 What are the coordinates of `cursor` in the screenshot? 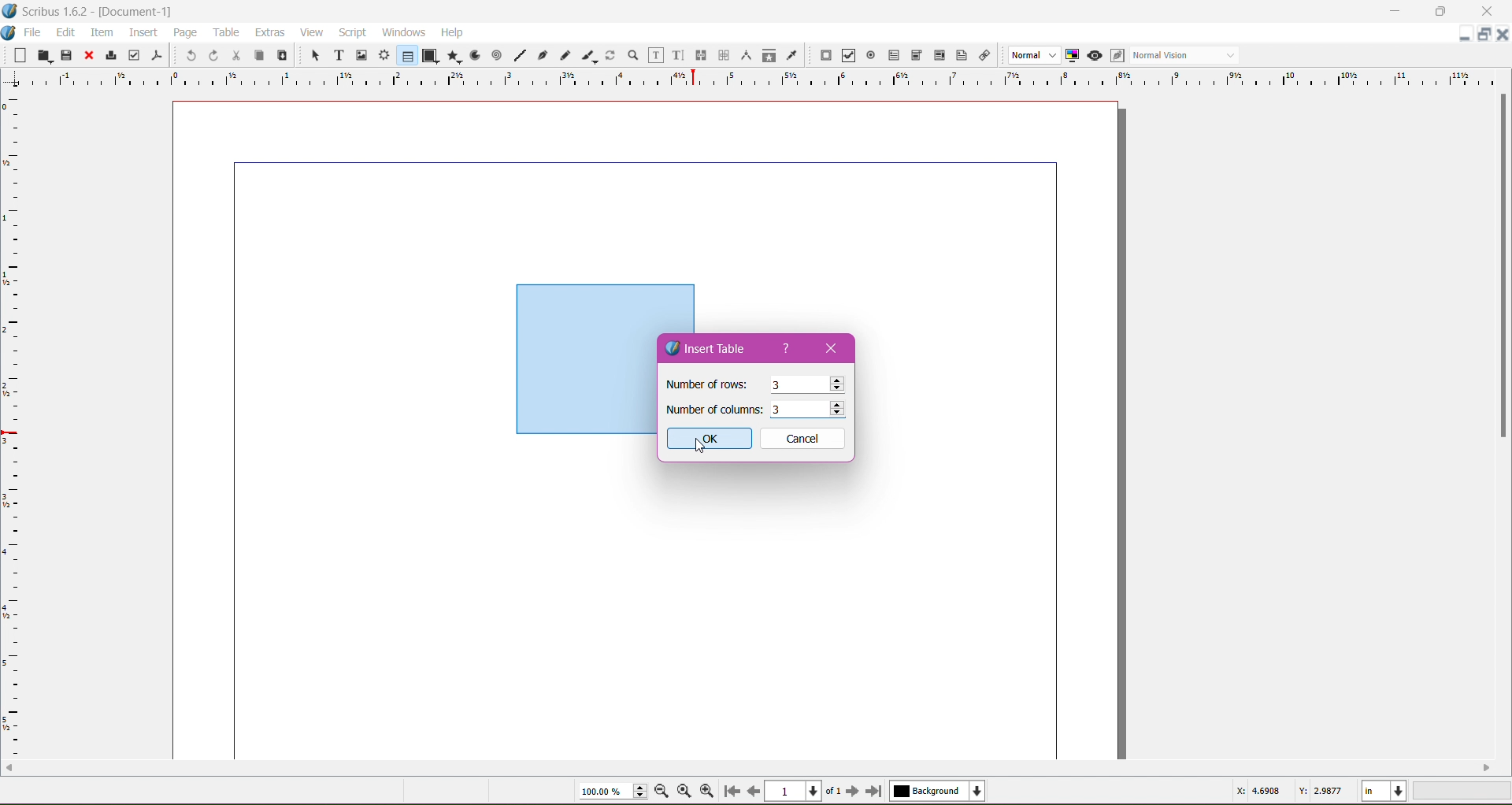 It's located at (835, 386).